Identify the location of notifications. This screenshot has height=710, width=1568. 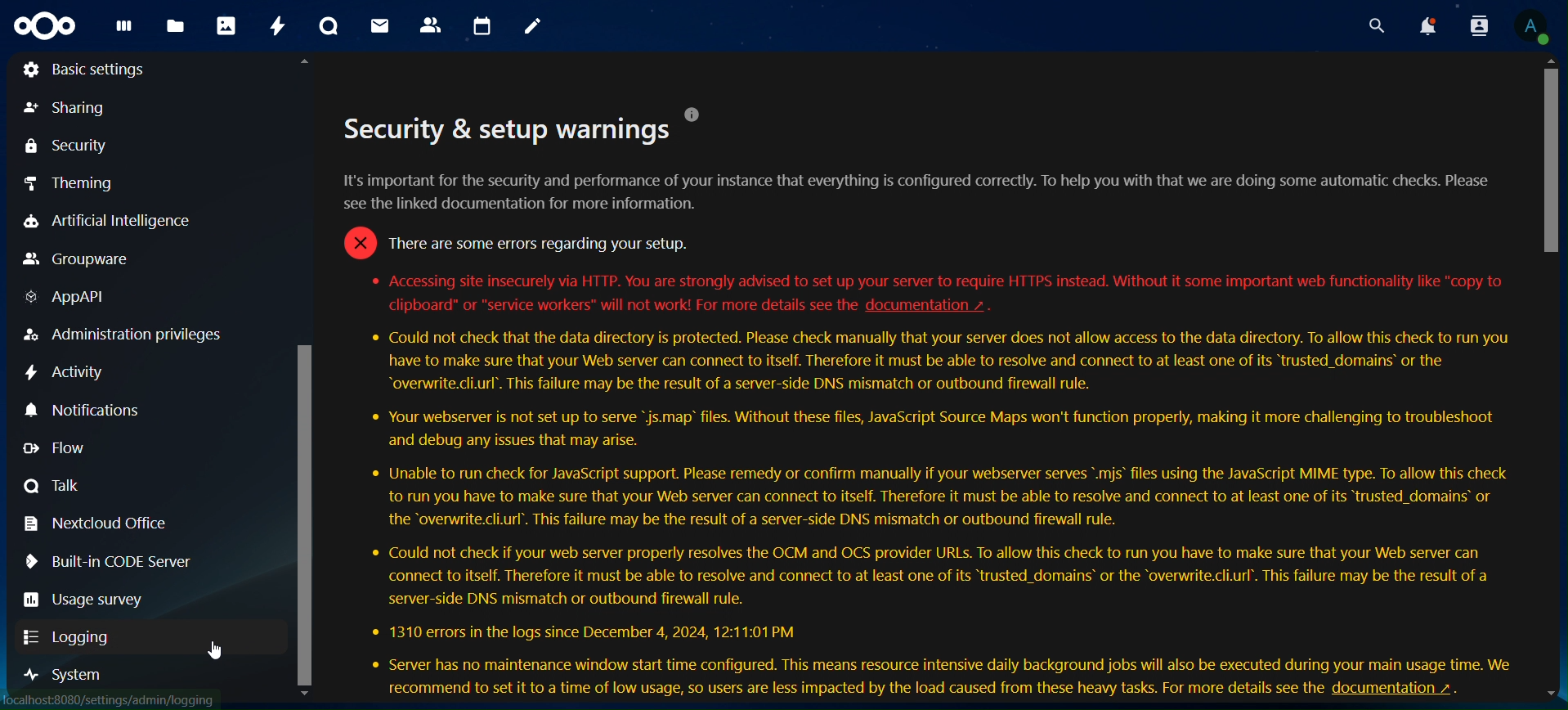
(1421, 25).